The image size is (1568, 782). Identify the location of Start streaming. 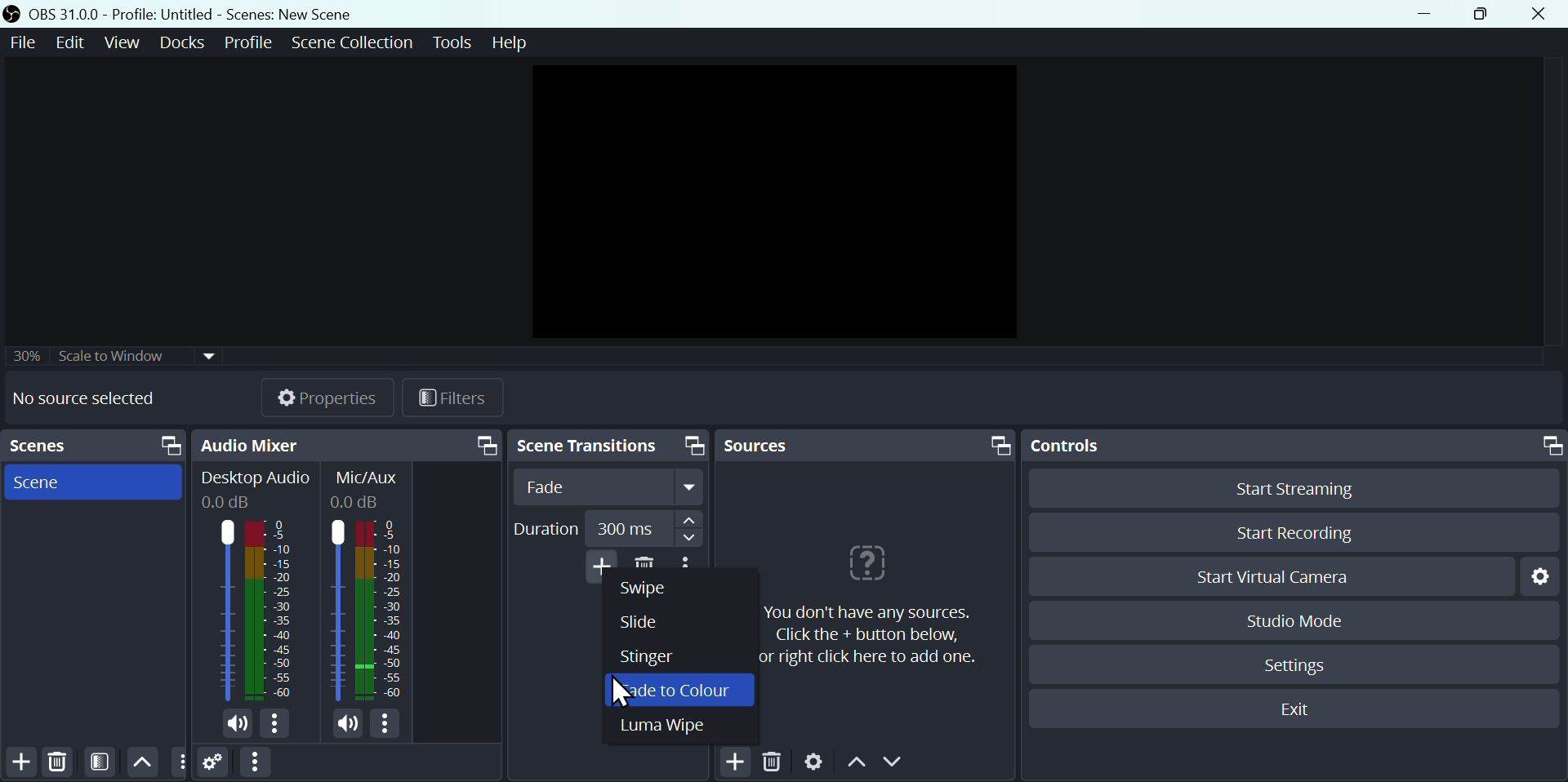
(1288, 487).